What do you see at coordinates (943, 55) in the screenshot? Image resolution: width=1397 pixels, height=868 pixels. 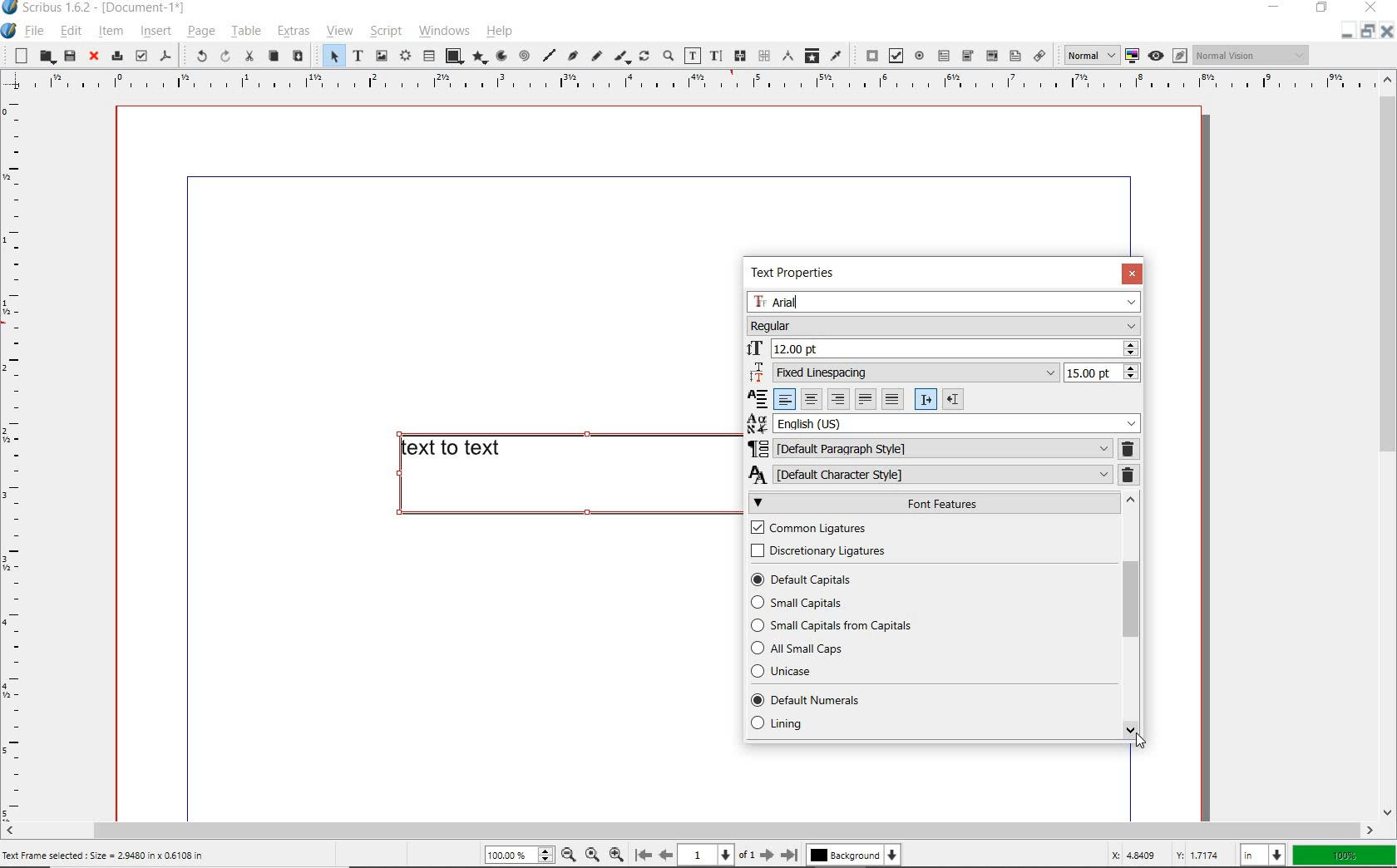 I see `pdf text field` at bounding box center [943, 55].